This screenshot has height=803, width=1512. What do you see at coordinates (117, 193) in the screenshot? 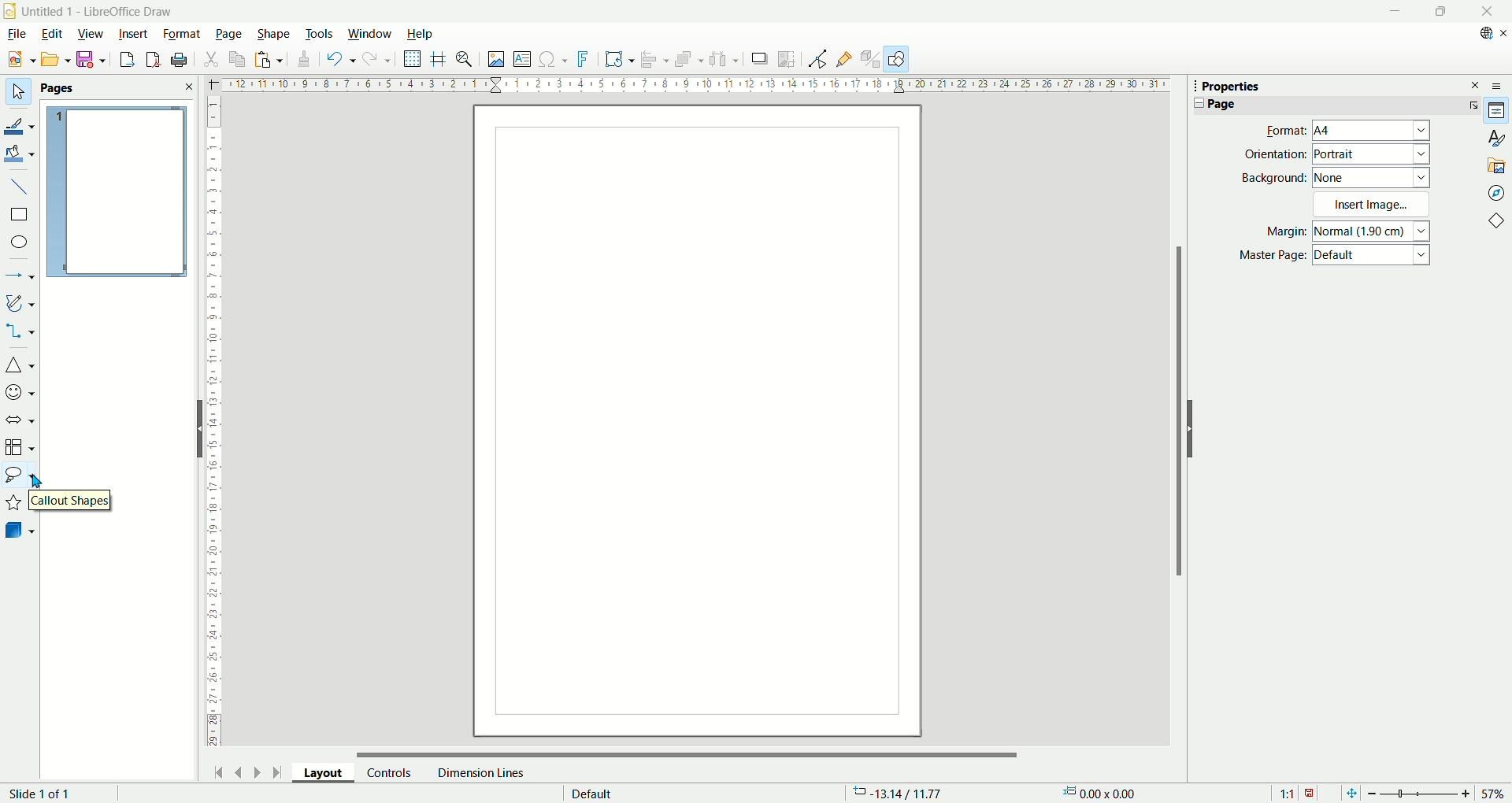
I see `page` at bounding box center [117, 193].